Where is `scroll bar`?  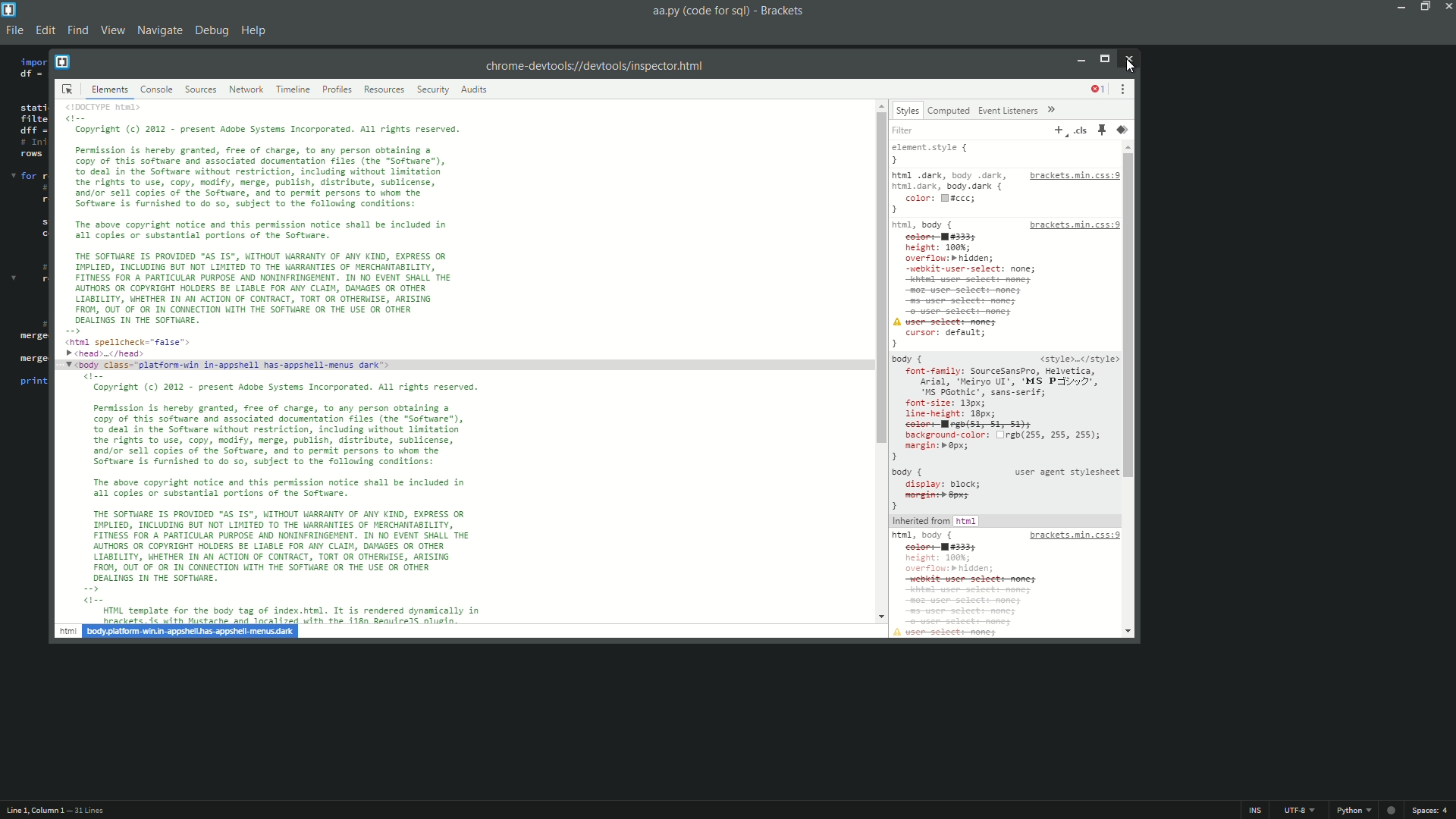 scroll bar is located at coordinates (1134, 314).